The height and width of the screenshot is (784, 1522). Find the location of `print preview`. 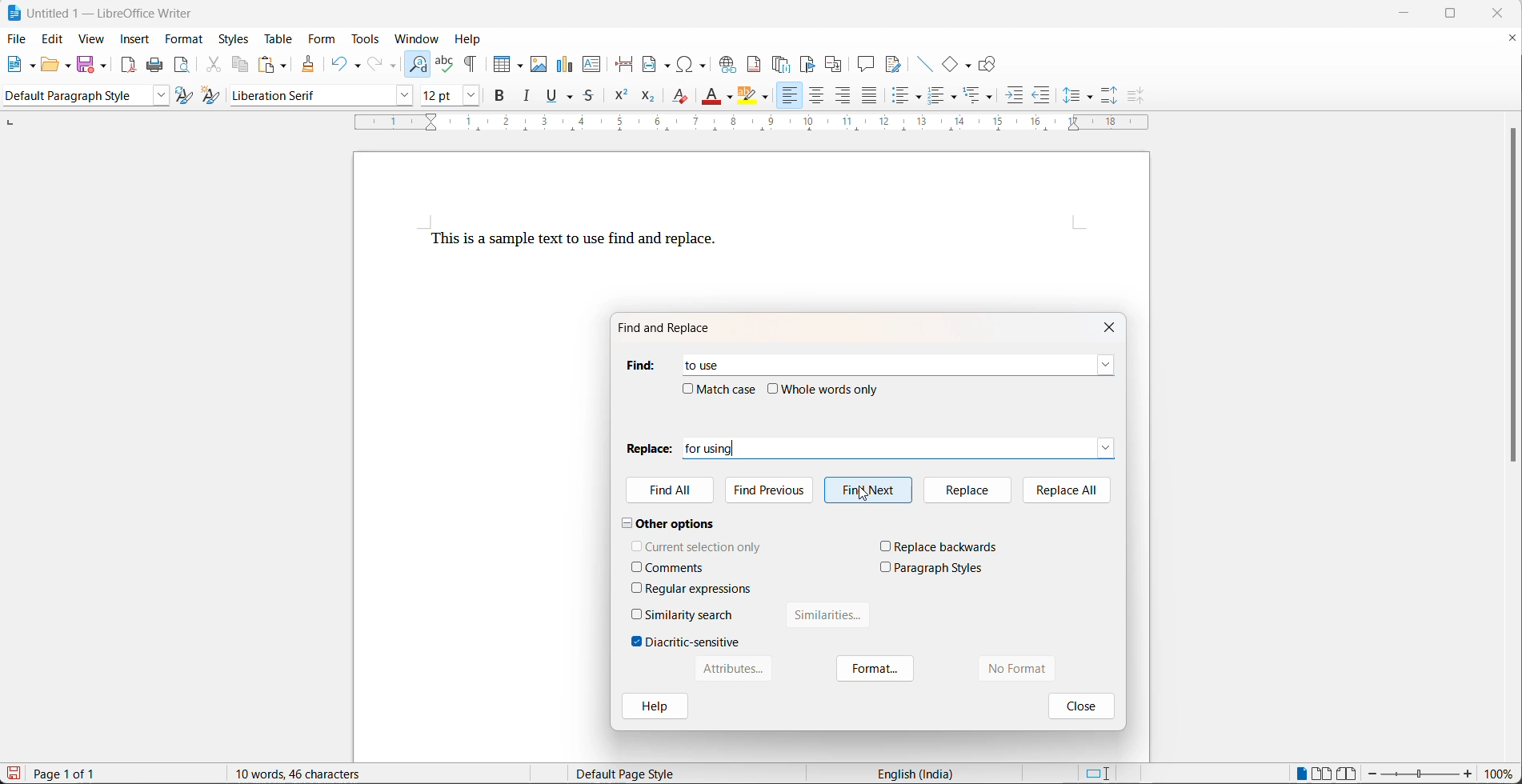

print preview is located at coordinates (183, 66).